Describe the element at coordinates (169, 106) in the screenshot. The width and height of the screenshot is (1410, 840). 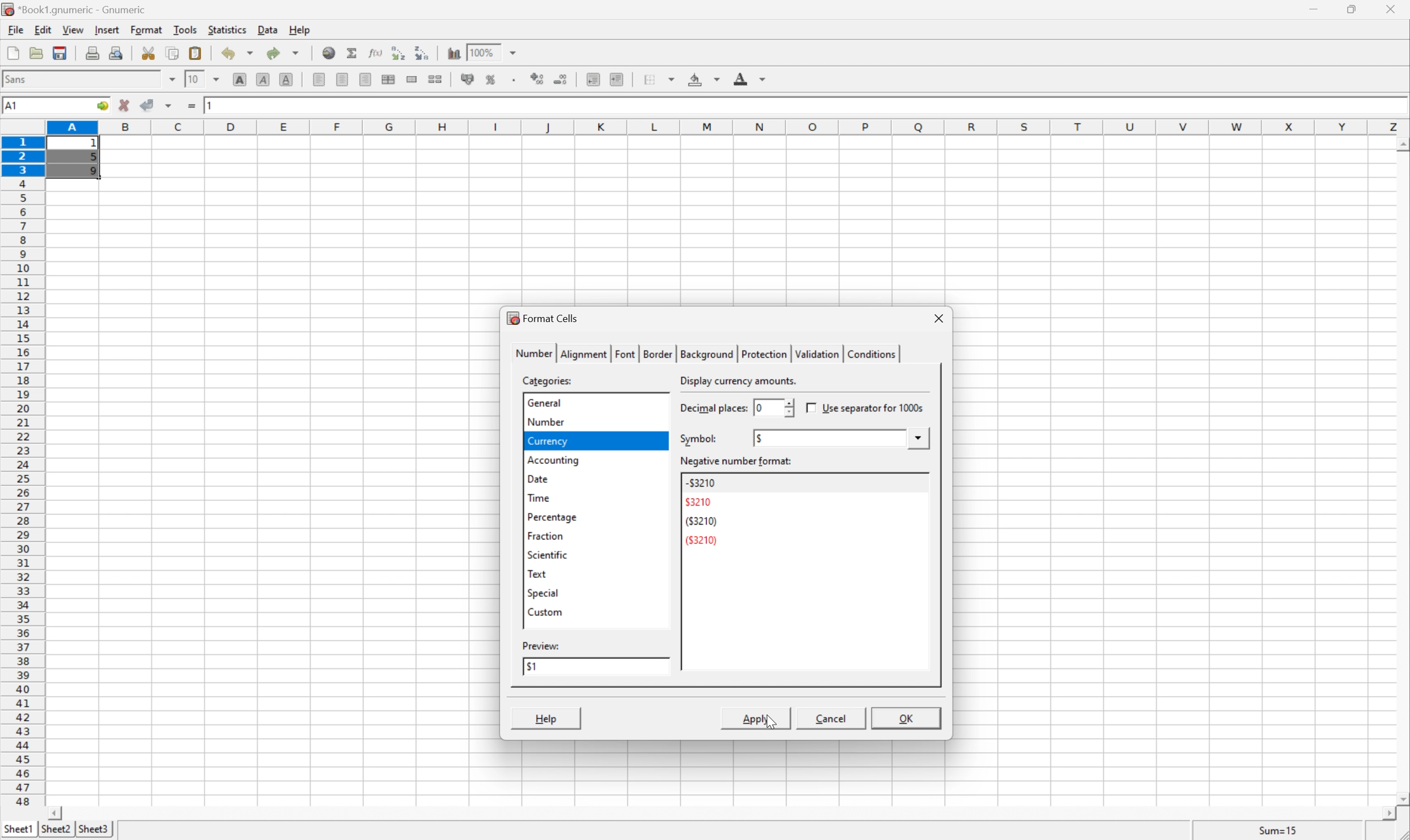
I see `accept changes across all selections` at that location.